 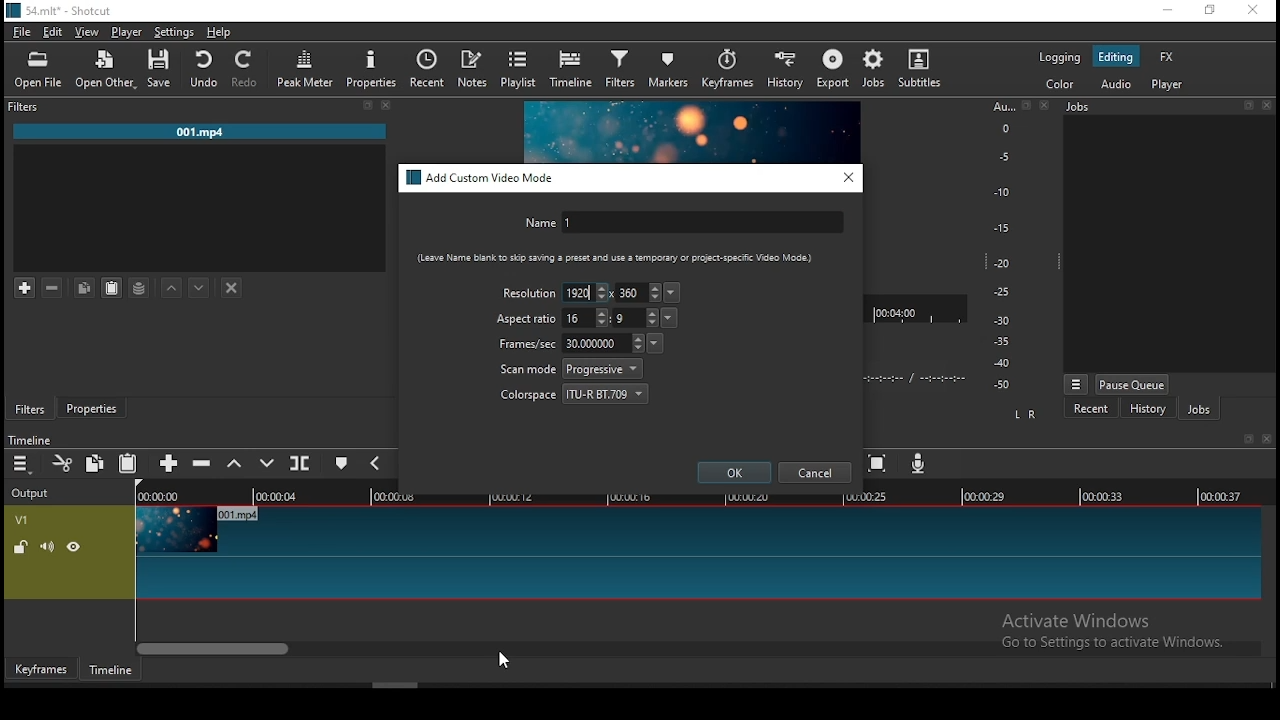 I want to click on pause queue, so click(x=1132, y=384).